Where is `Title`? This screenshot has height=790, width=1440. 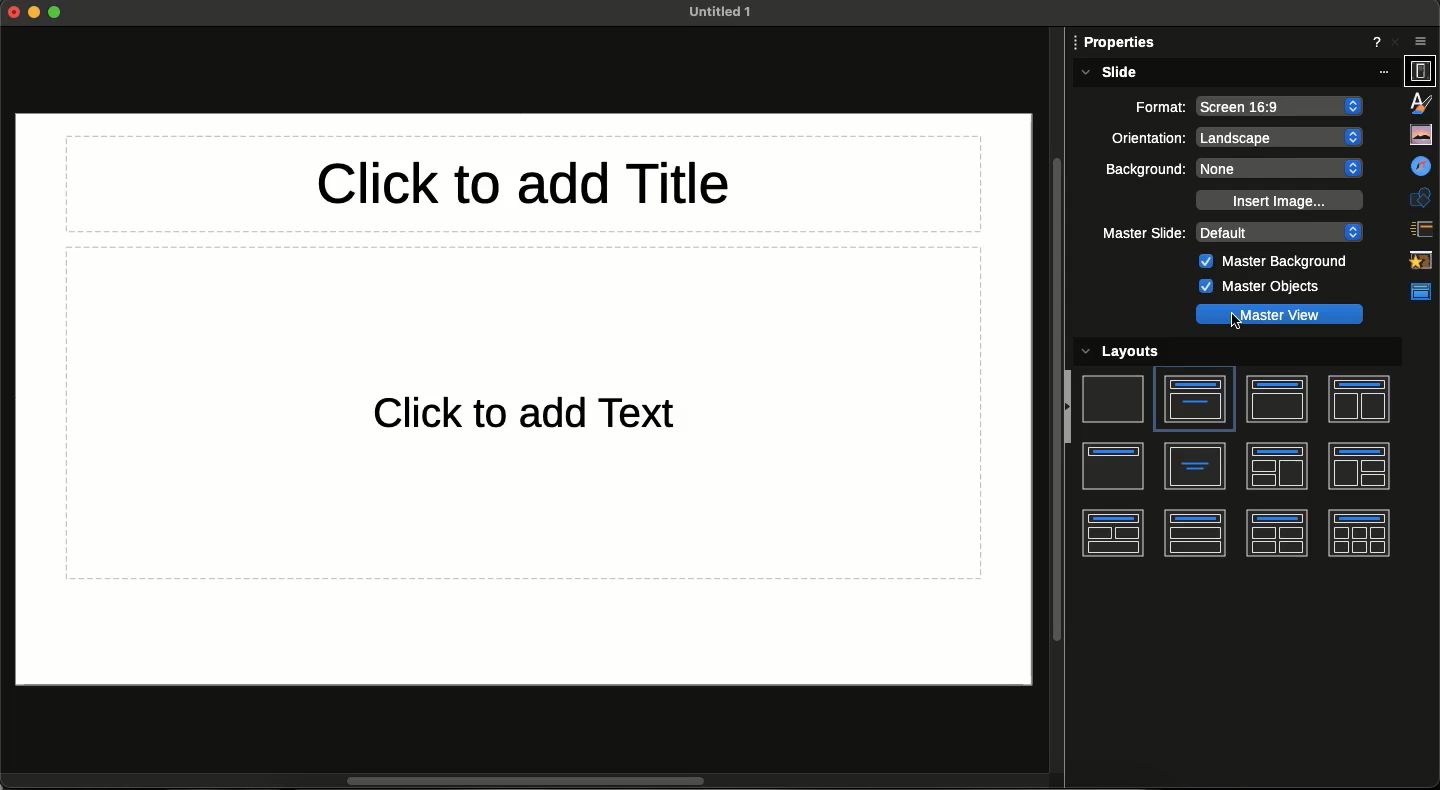
Title is located at coordinates (1114, 467).